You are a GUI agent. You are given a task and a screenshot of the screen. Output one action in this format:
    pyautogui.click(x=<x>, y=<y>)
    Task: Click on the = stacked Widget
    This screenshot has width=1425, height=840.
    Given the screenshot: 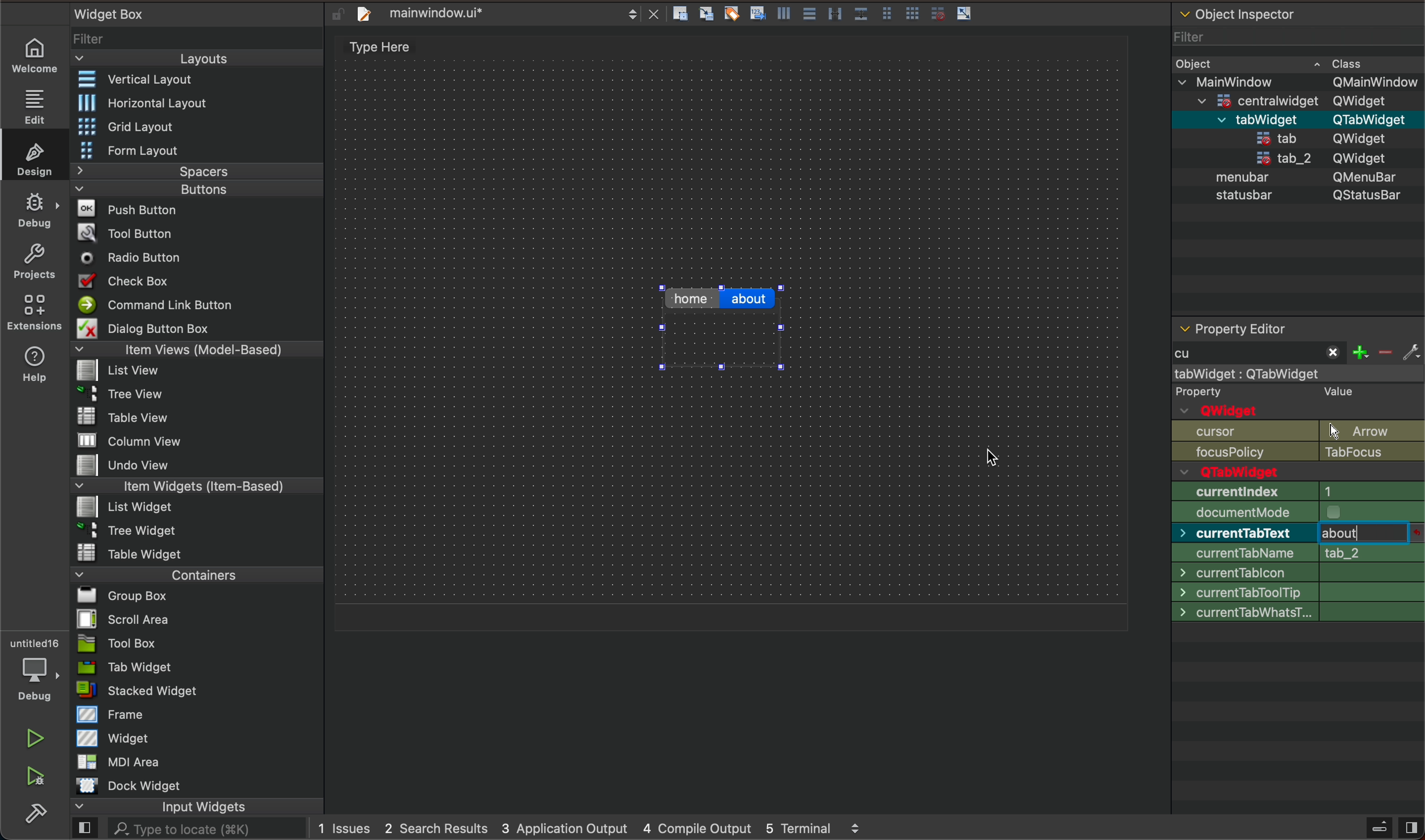 What is the action you would take?
    pyautogui.click(x=144, y=691)
    